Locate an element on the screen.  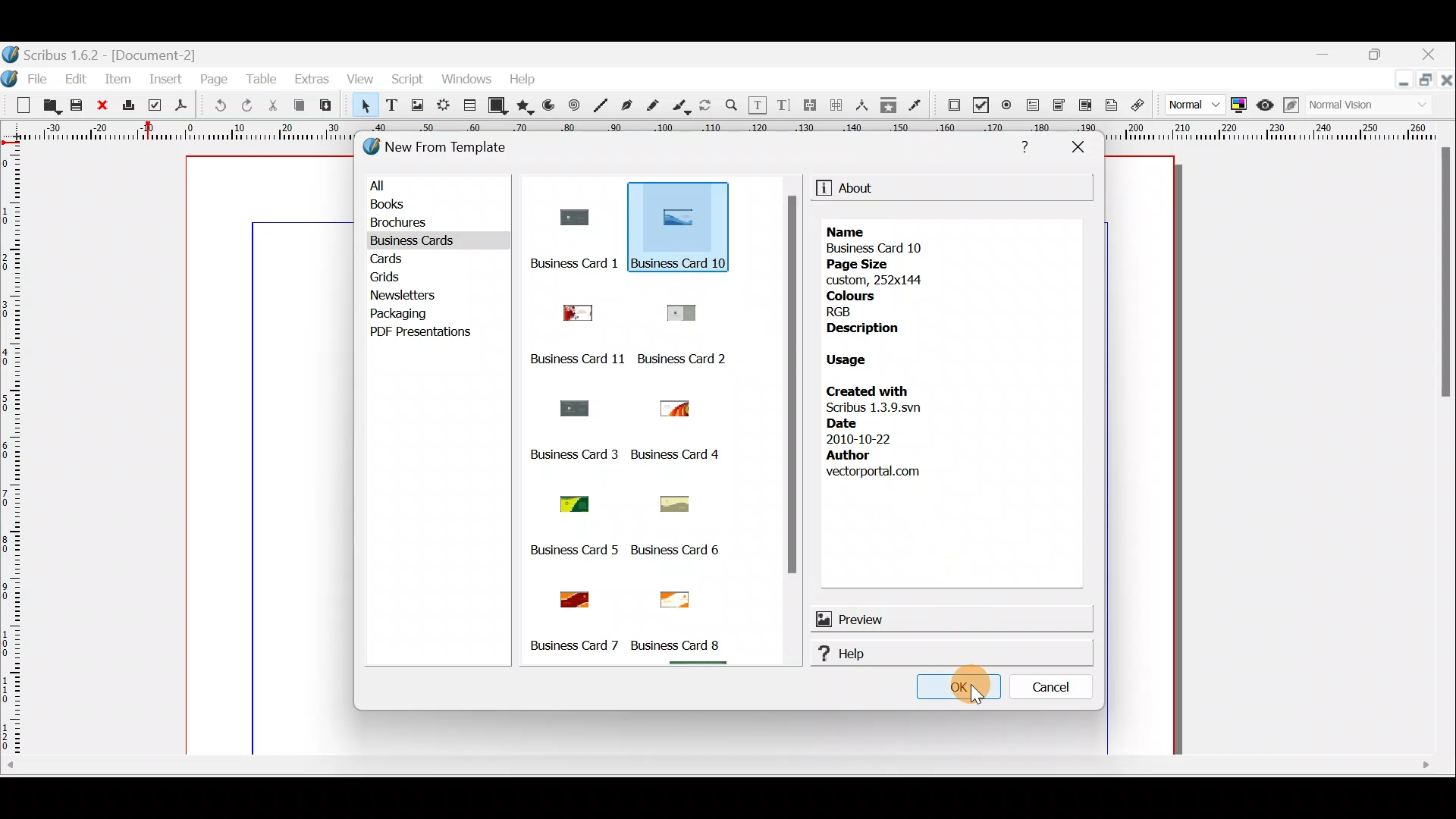
vectorportal.com is located at coordinates (873, 472).